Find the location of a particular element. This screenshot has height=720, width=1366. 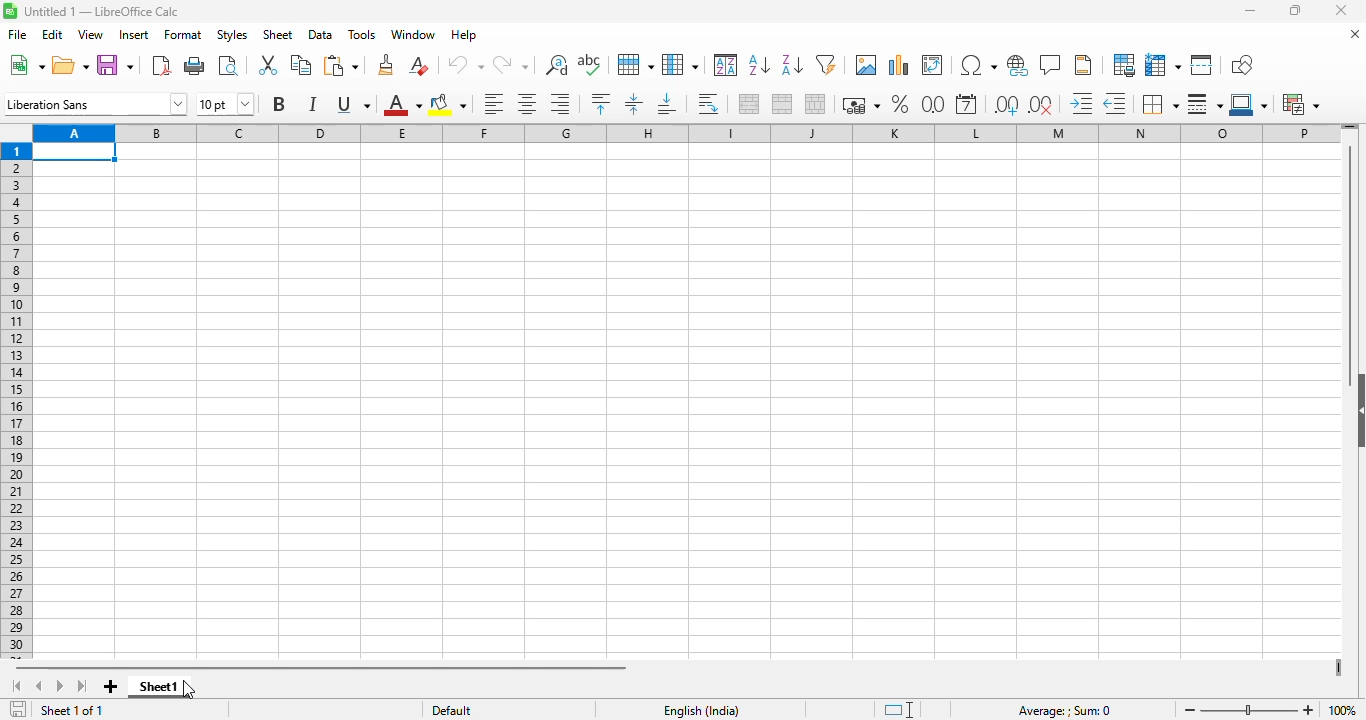

insert chart is located at coordinates (900, 65).